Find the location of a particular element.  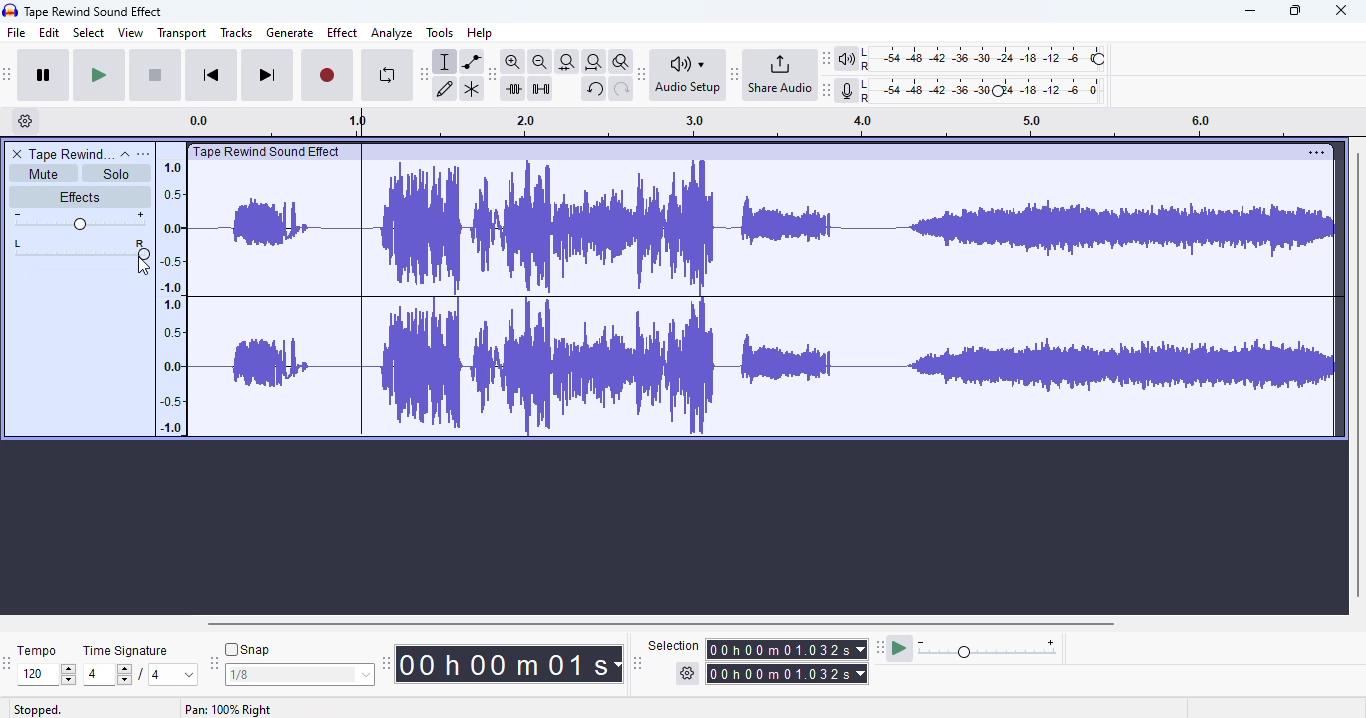

skip to start is located at coordinates (213, 74).